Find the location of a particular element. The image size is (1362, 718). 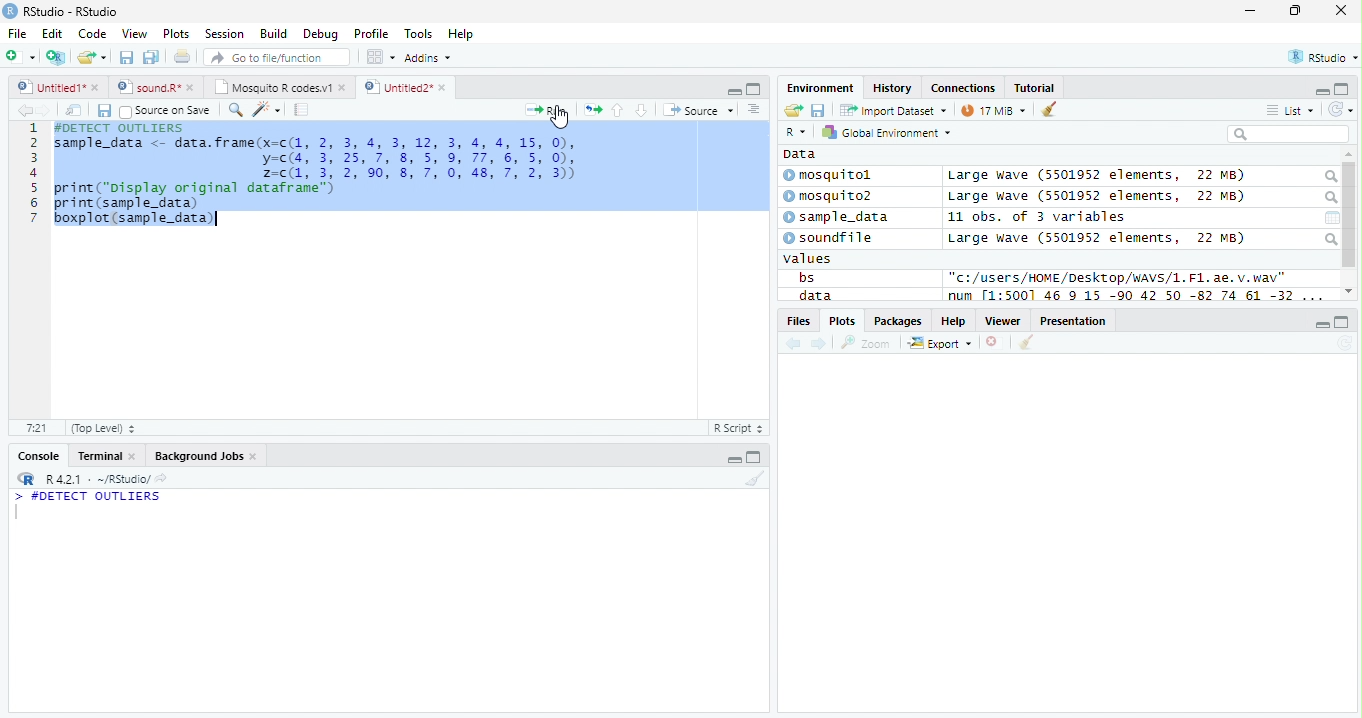

Save all the open documents is located at coordinates (151, 58).